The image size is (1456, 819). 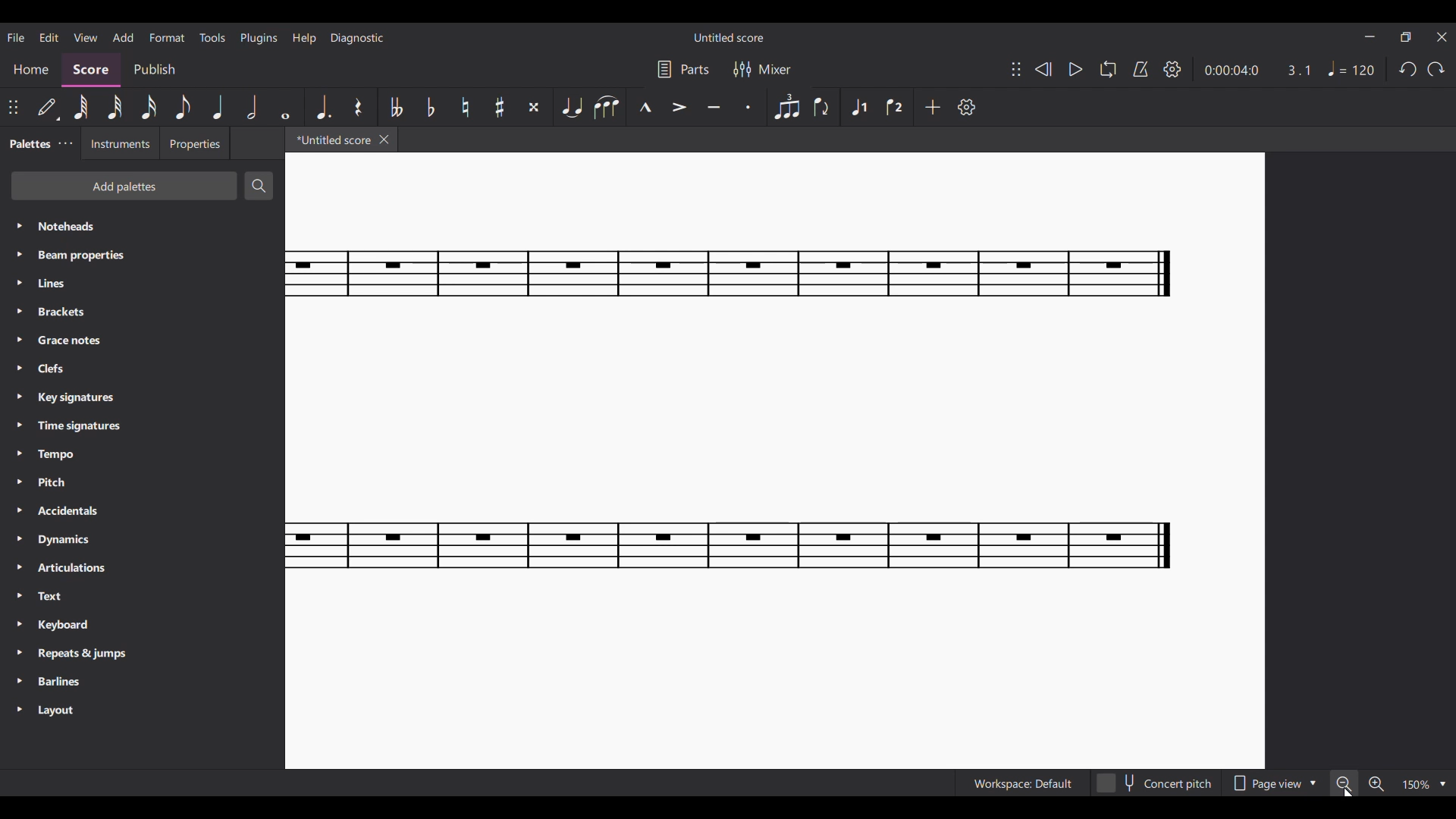 I want to click on Noteheads, so click(x=143, y=227).